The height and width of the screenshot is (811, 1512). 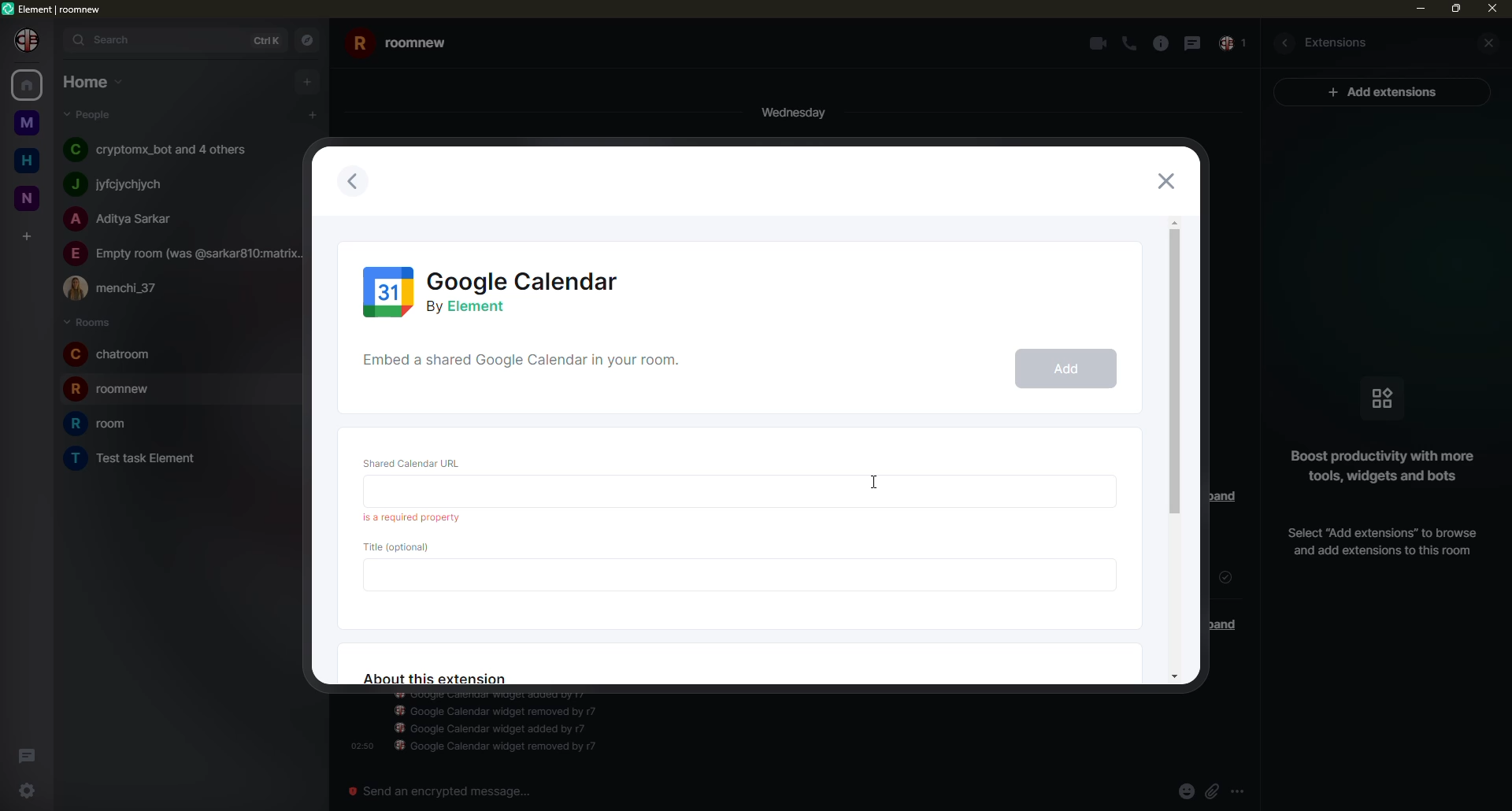 I want to click on people, so click(x=90, y=114).